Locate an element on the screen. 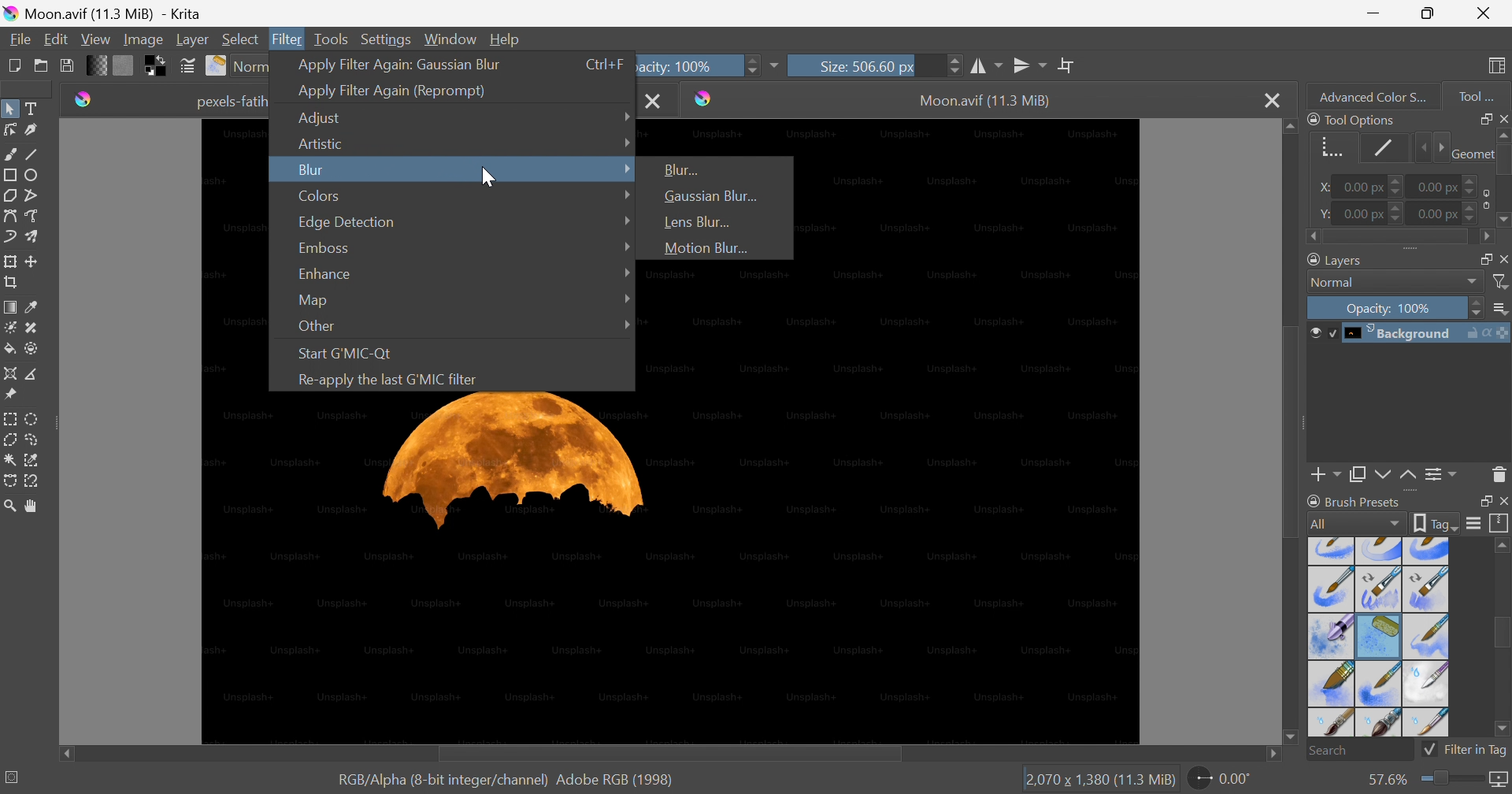 Image resolution: width=1512 pixels, height=794 pixels. Crop an image to an area is located at coordinates (9, 280).